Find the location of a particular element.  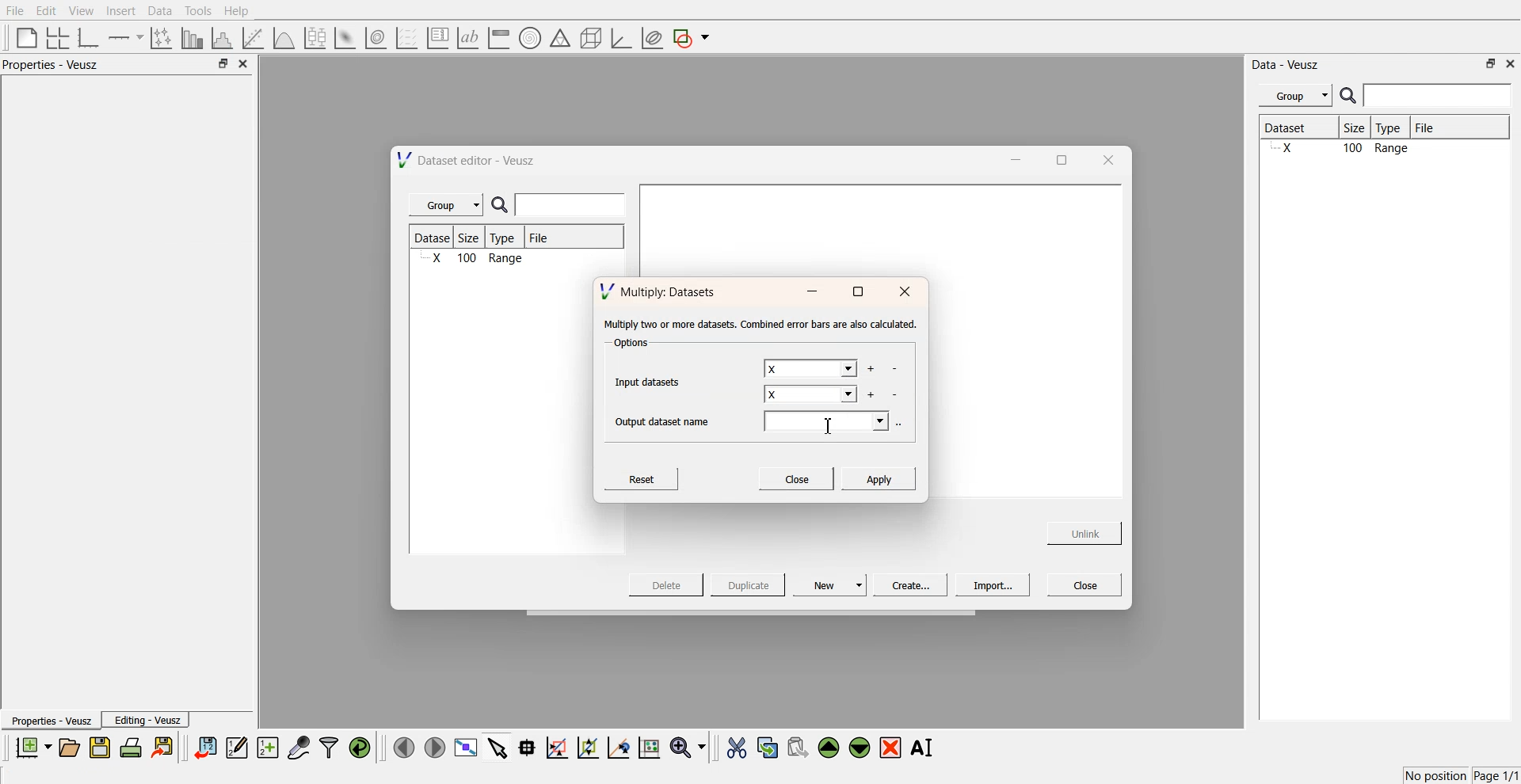

Create... is located at coordinates (908, 584).